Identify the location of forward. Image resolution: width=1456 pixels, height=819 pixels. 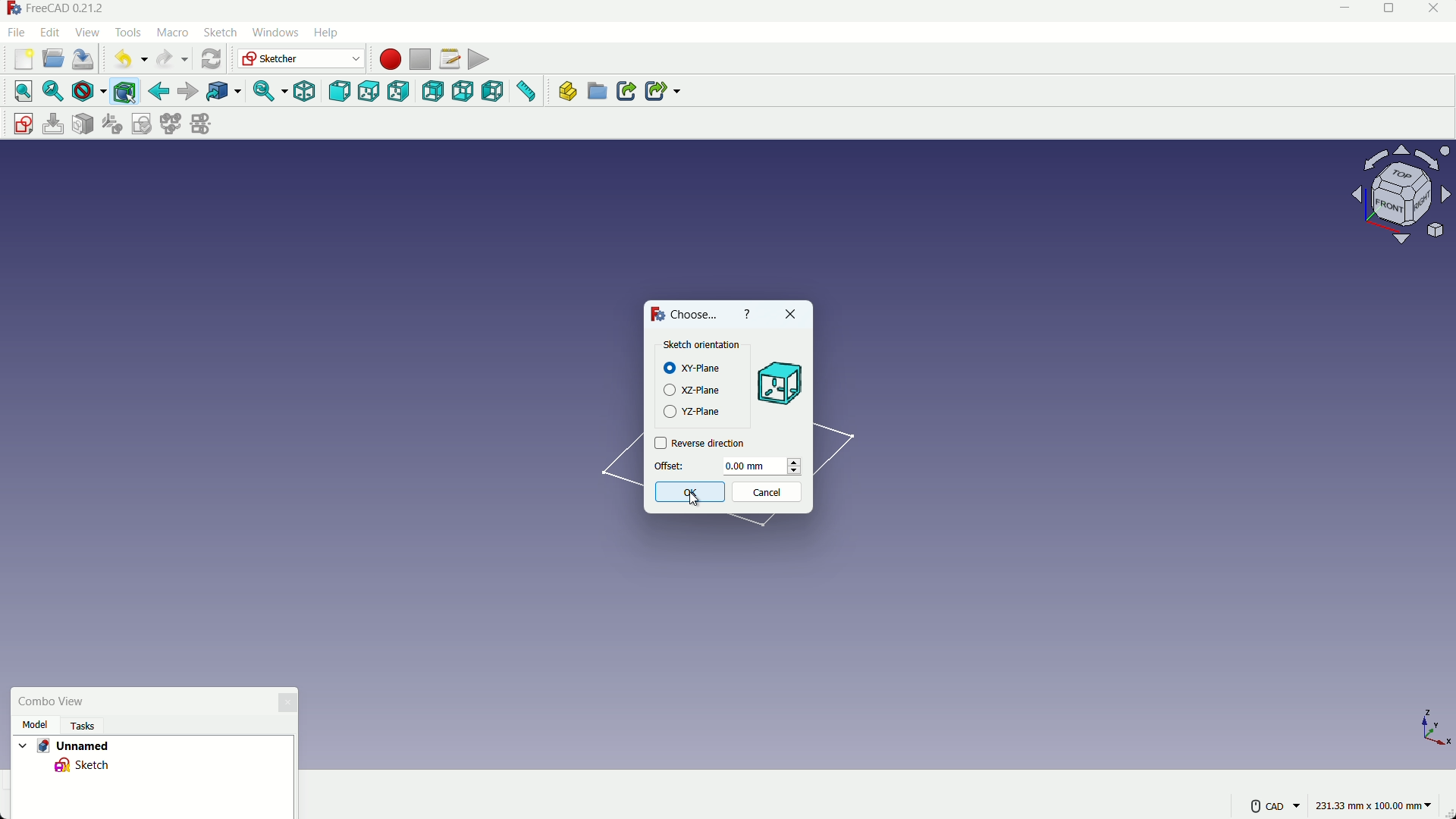
(187, 92).